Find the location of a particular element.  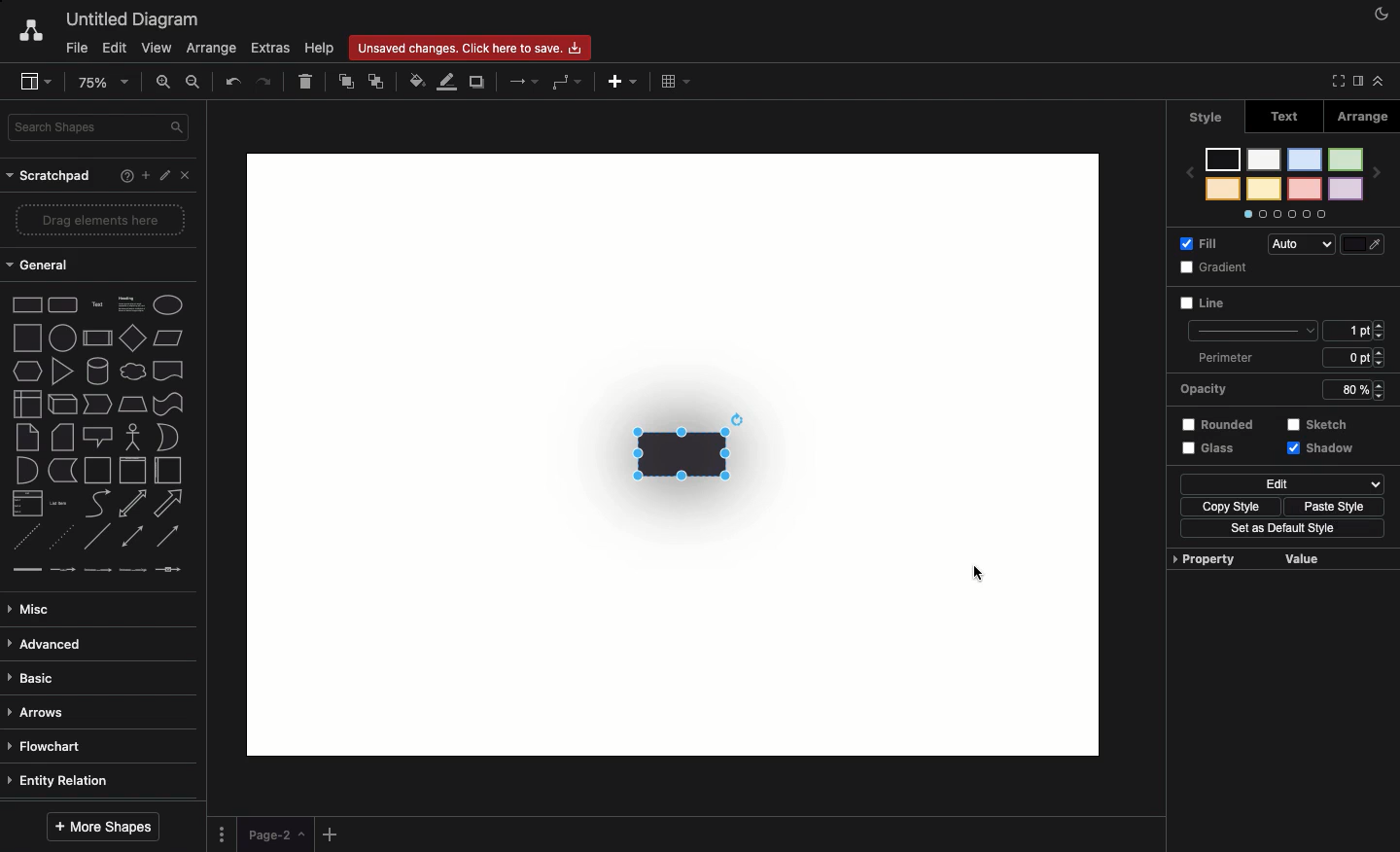

Redo is located at coordinates (266, 85).